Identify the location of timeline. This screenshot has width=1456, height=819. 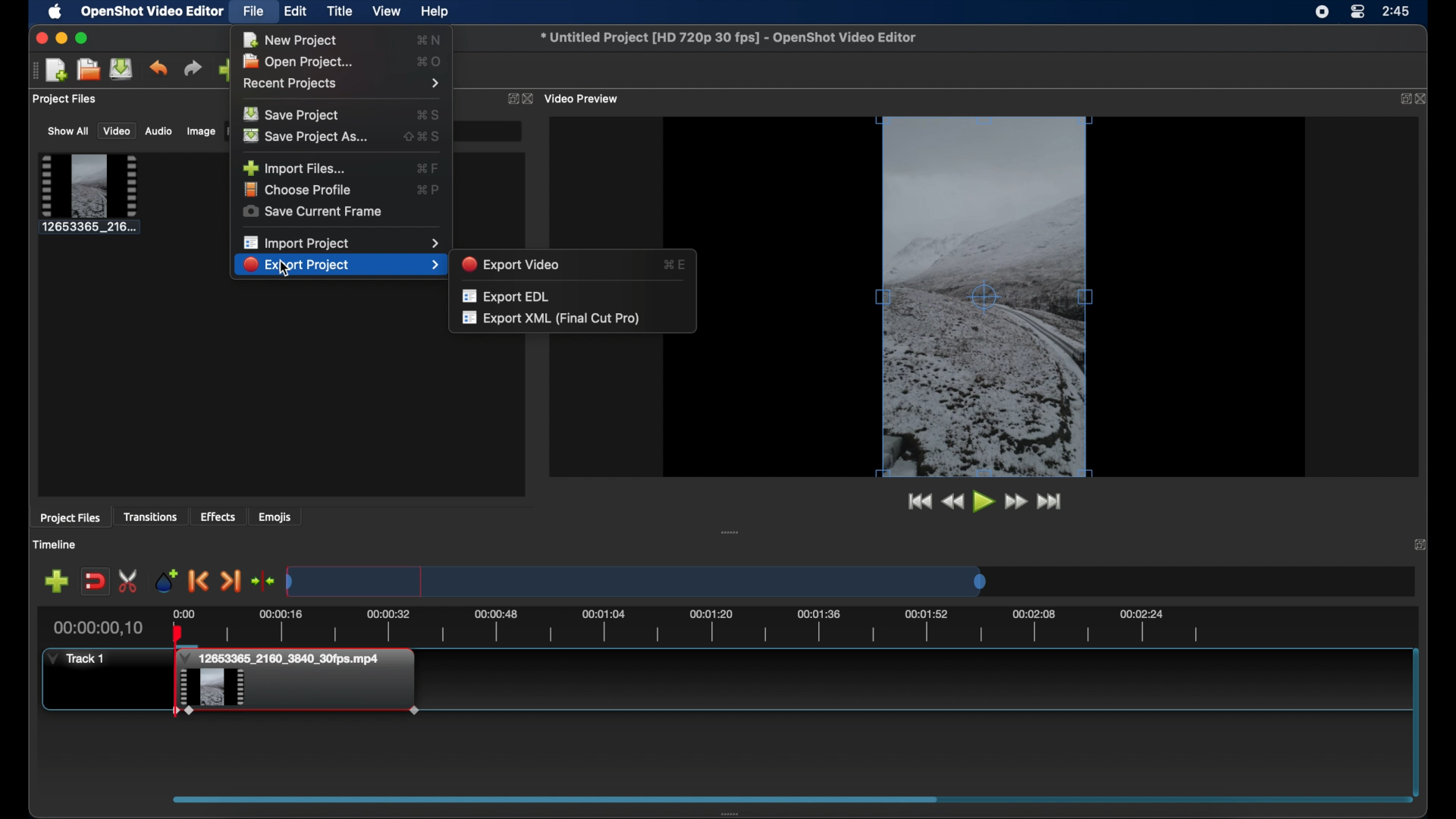
(58, 544).